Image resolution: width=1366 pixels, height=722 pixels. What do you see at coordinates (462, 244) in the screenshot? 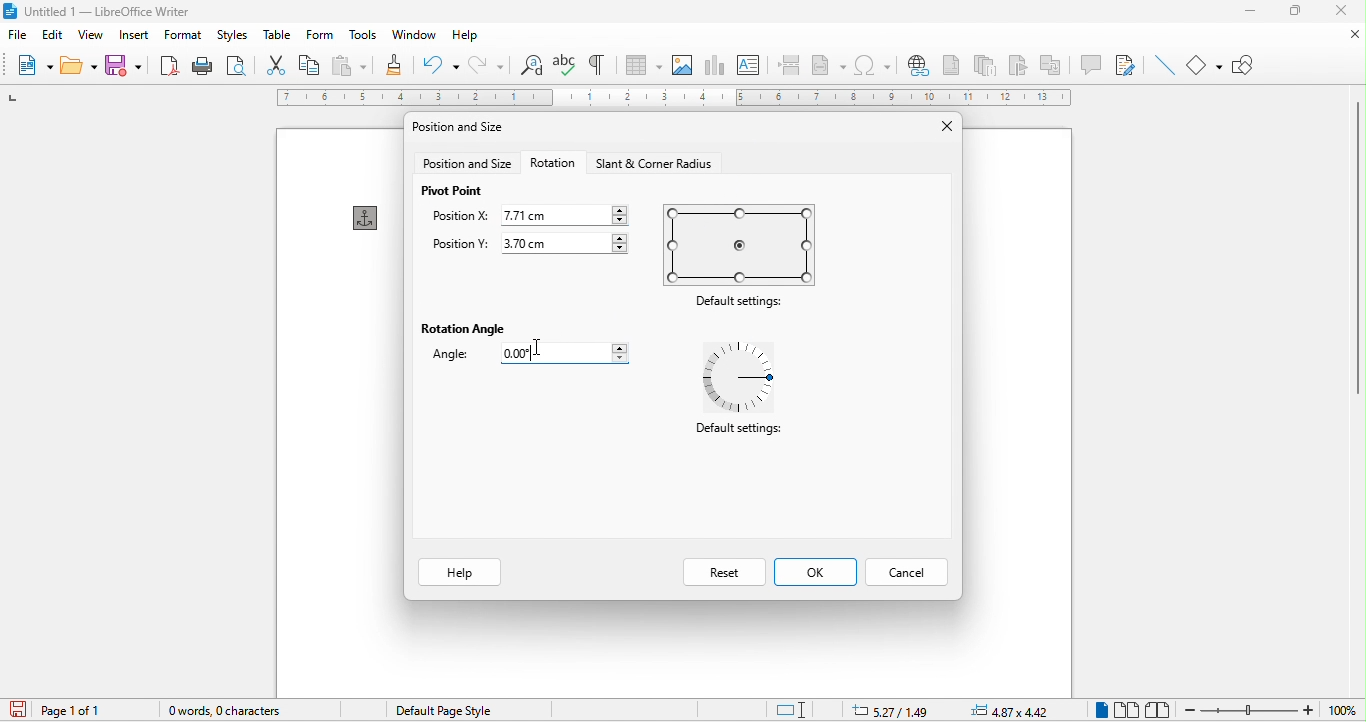
I see `position y` at bounding box center [462, 244].